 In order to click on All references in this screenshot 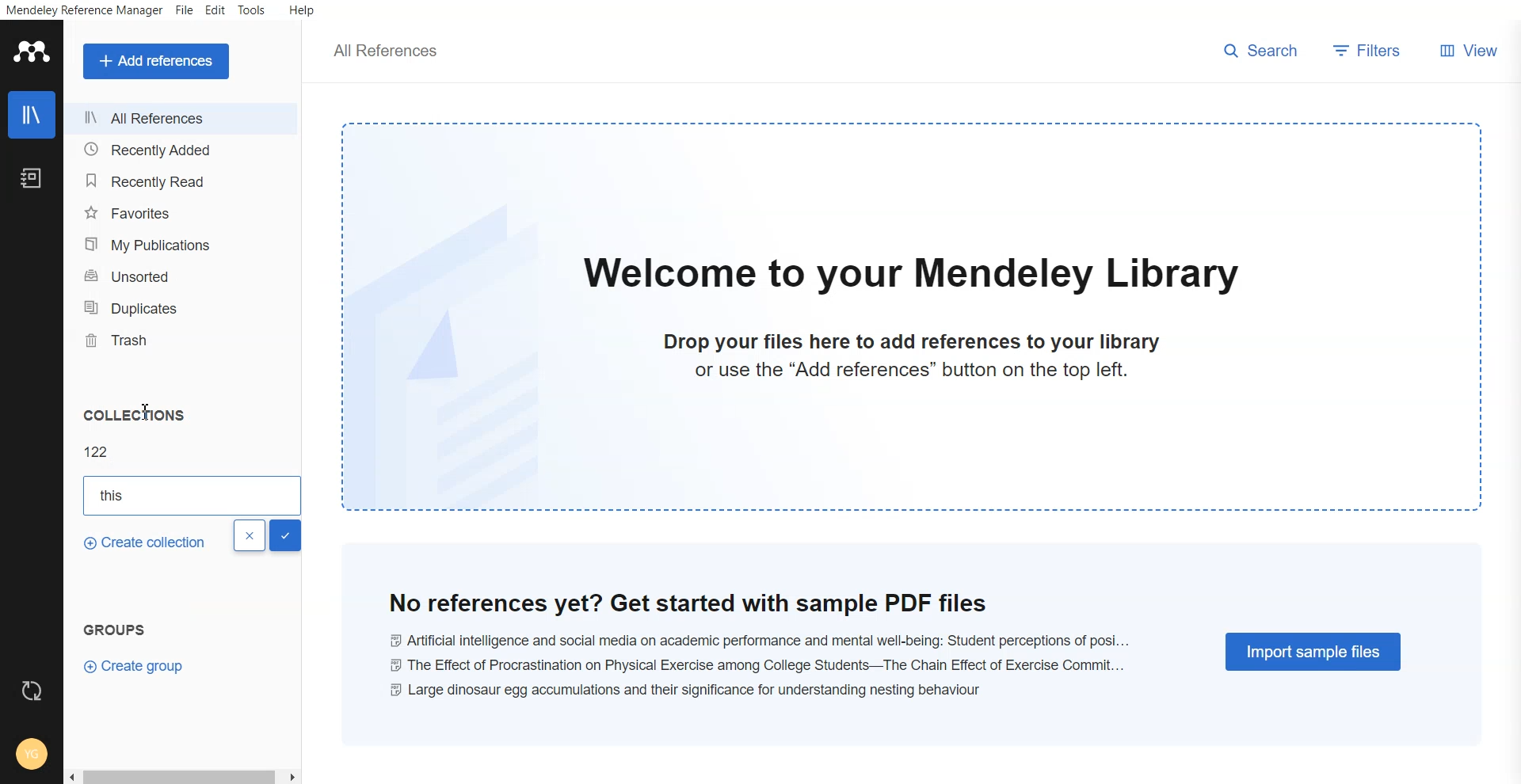, I will do `click(181, 119)`.